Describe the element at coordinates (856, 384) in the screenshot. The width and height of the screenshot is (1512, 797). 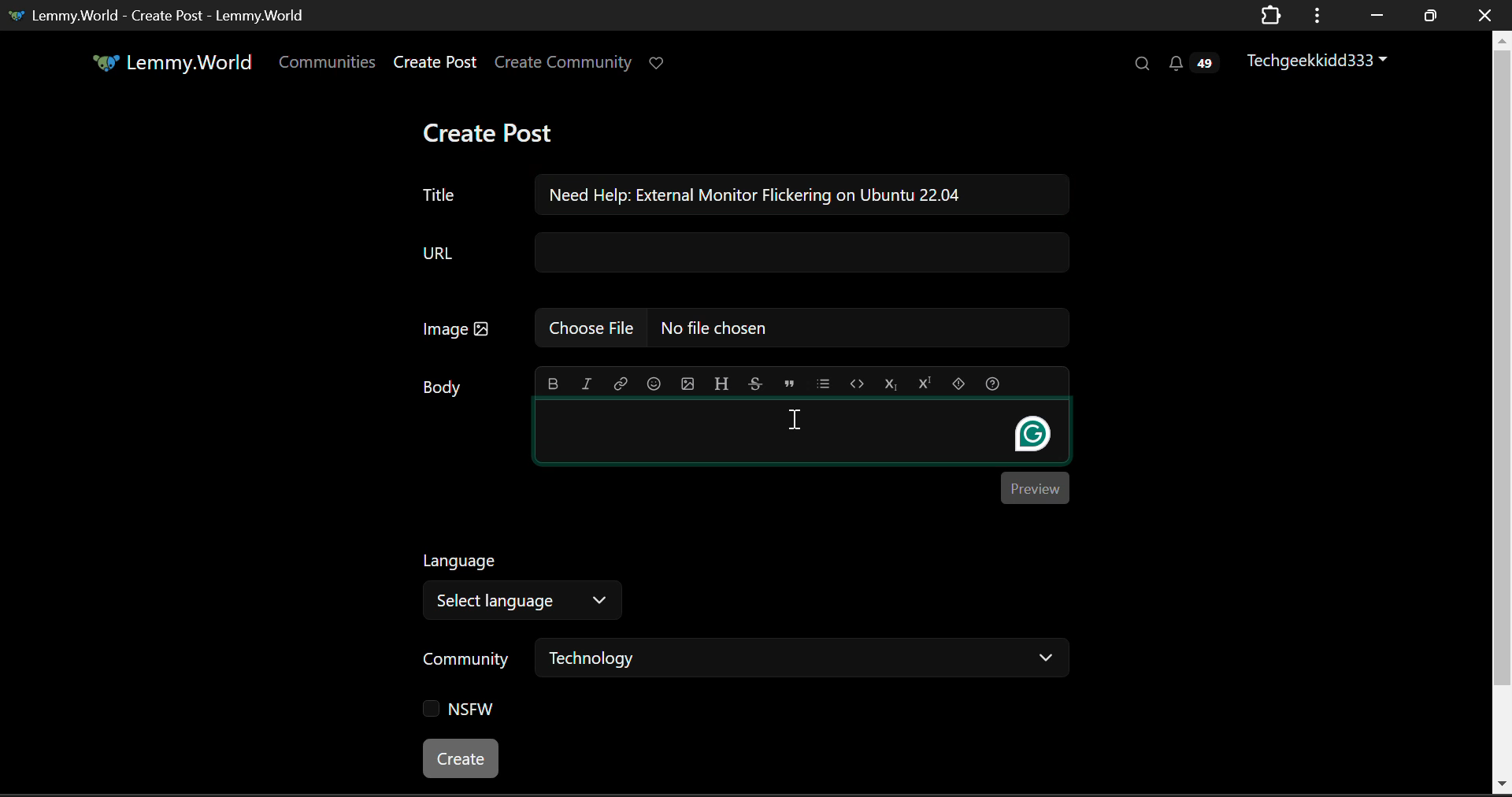
I see `Code` at that location.